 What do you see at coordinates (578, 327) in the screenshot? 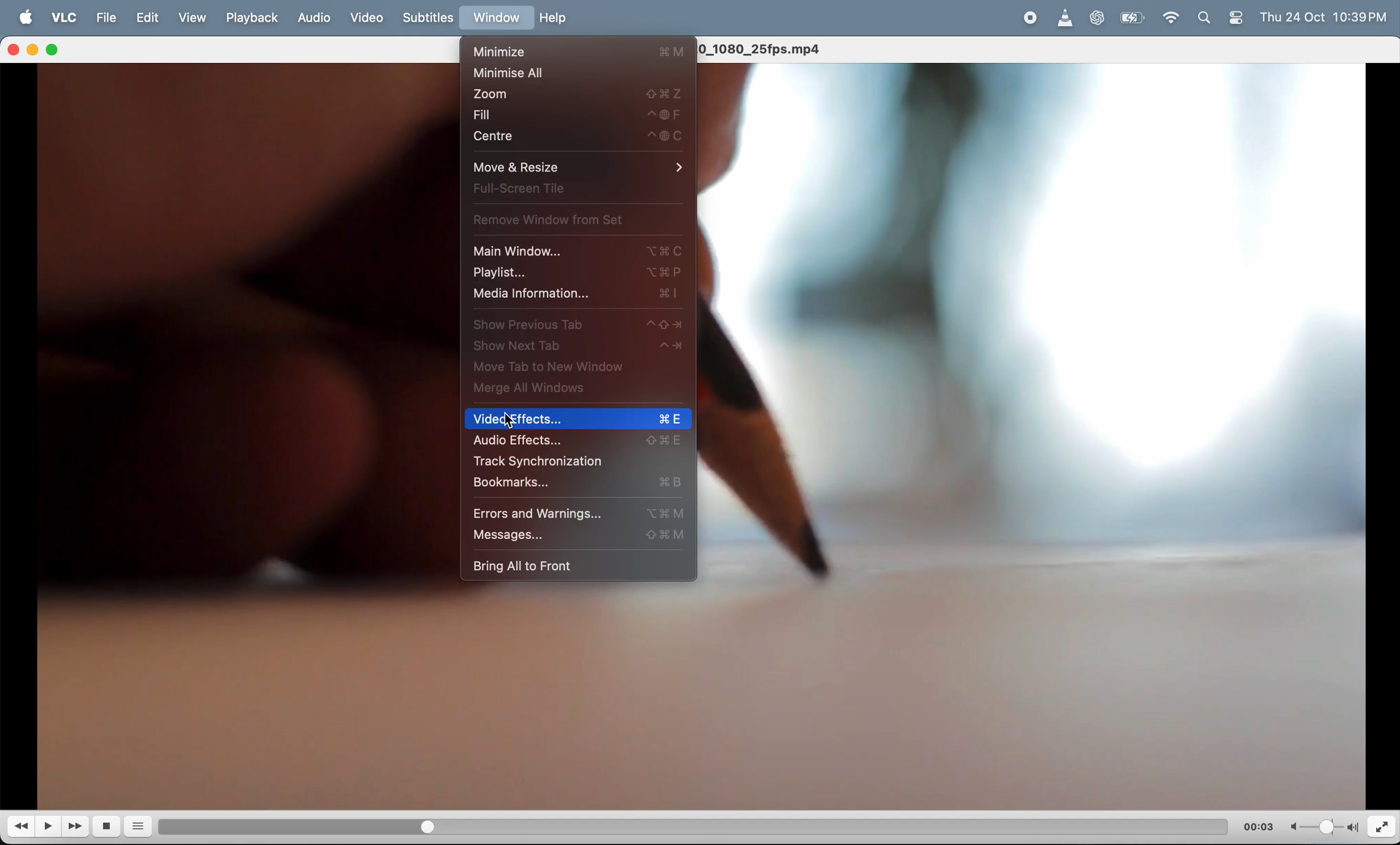
I see `Show previous tab` at bounding box center [578, 327].